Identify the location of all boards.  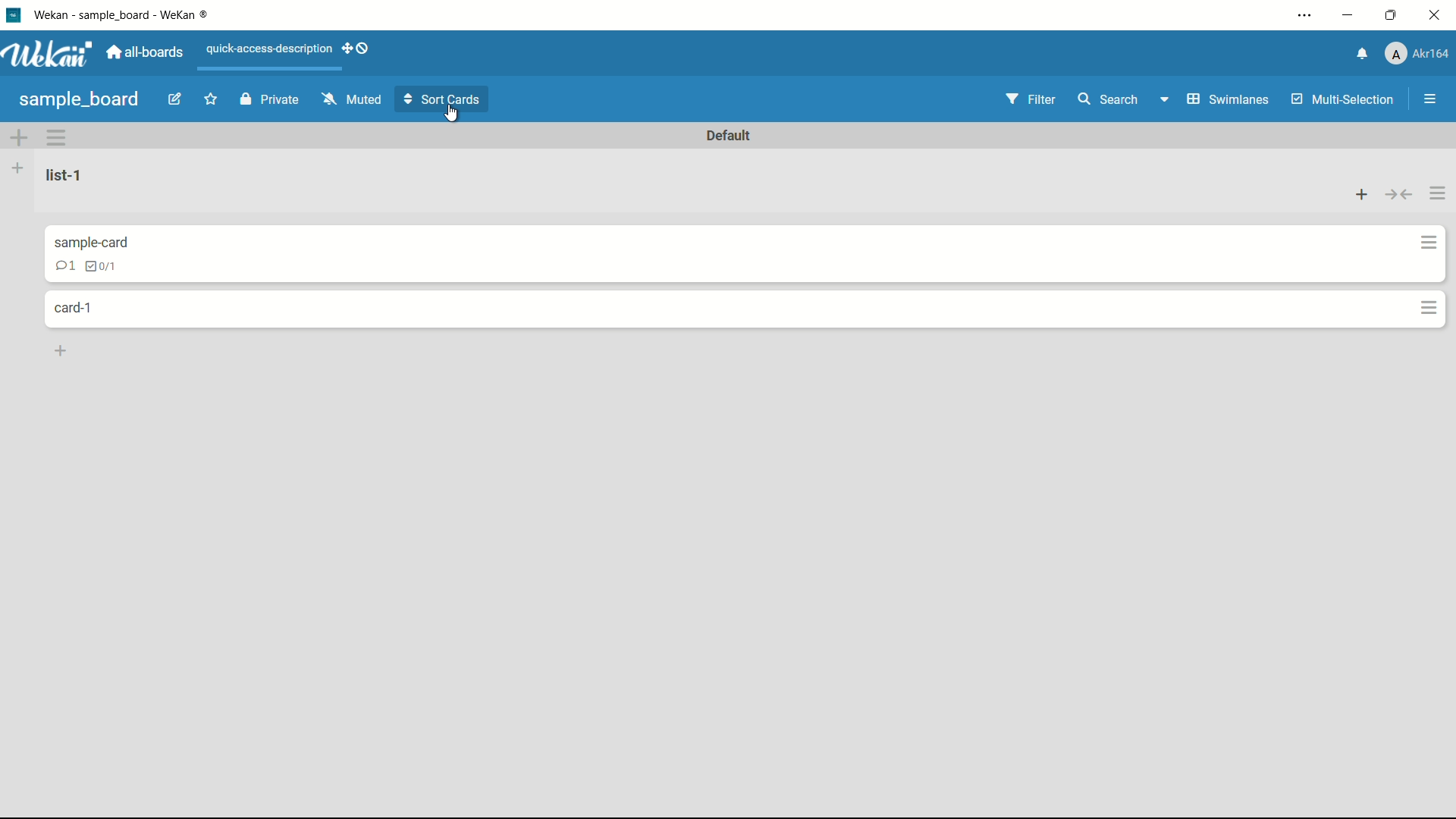
(145, 53).